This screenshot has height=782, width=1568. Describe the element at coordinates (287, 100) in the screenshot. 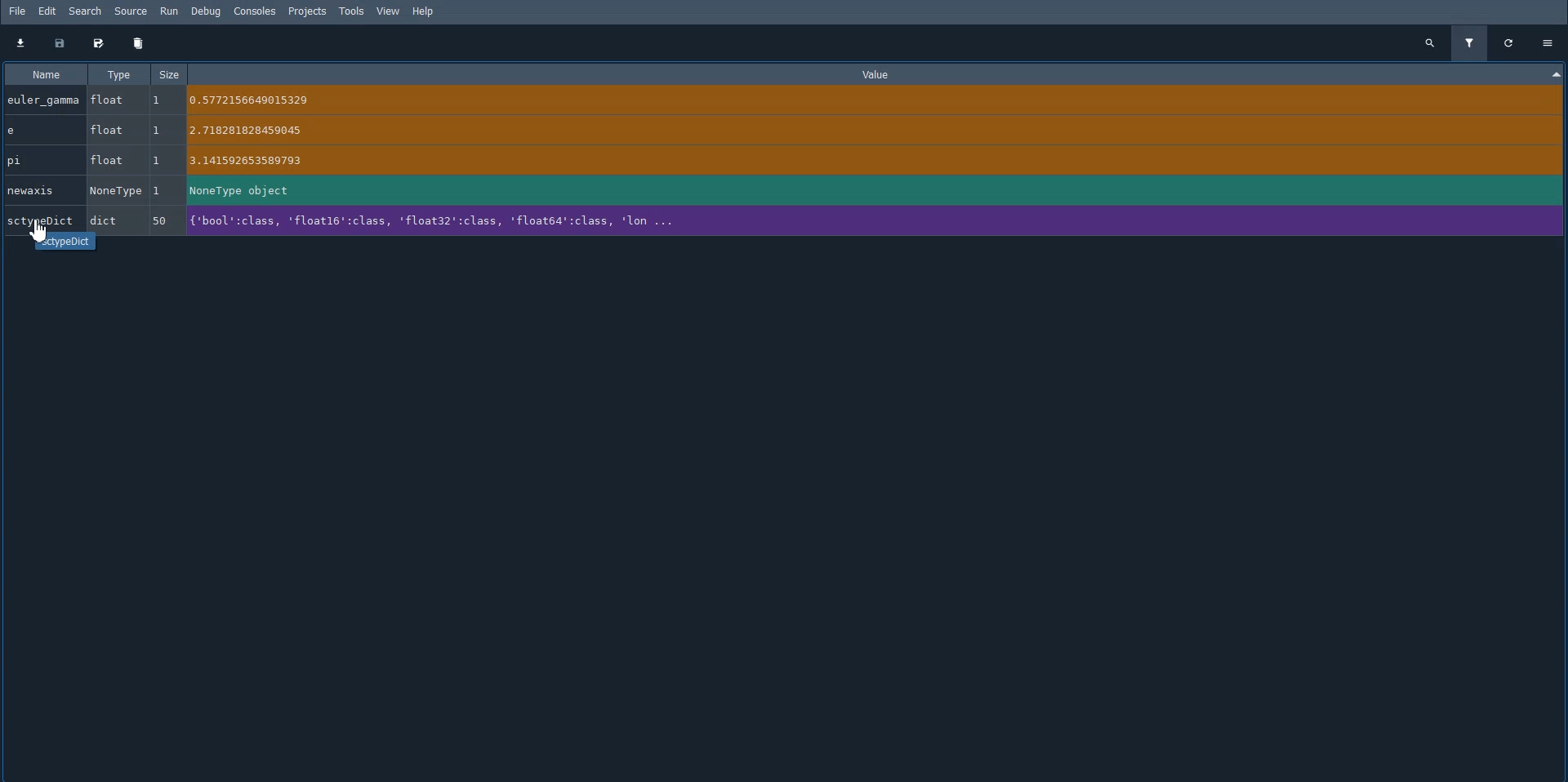

I see `euler_gamma` at that location.